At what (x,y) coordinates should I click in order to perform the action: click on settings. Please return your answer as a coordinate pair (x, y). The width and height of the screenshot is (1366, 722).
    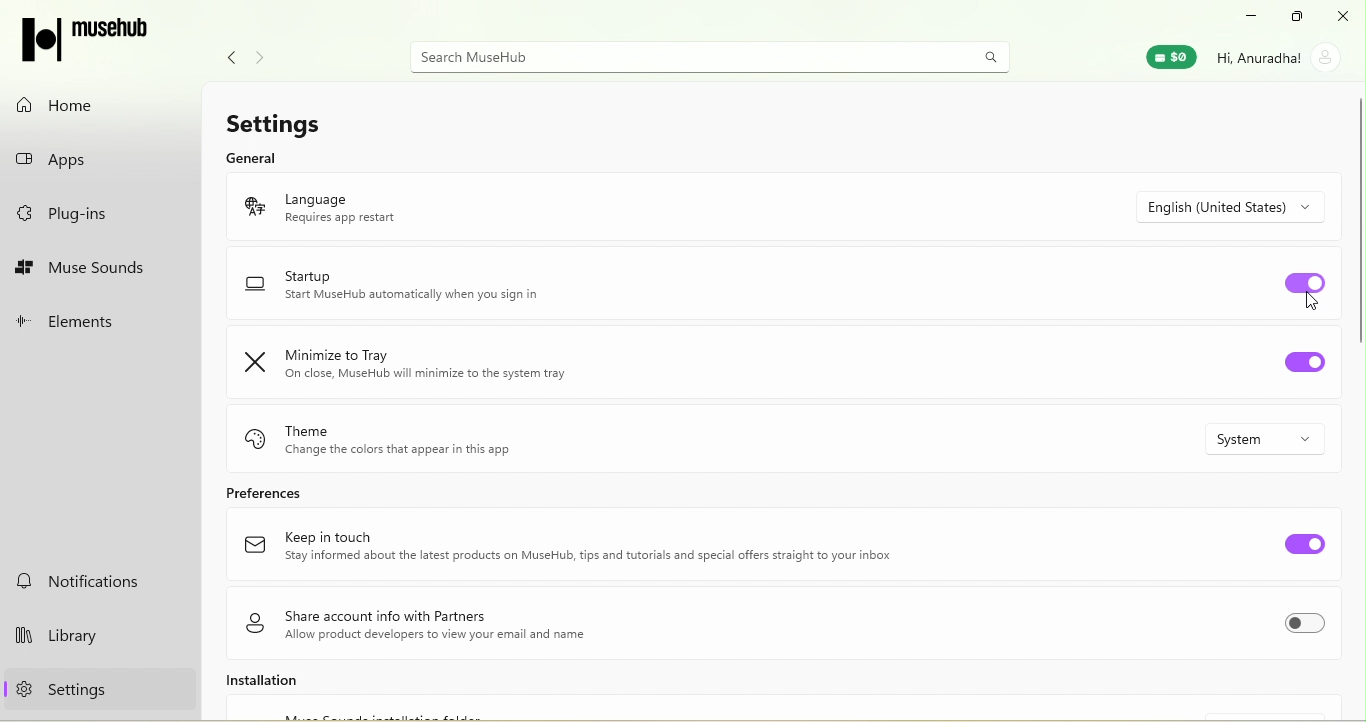
    Looking at the image, I should click on (86, 694).